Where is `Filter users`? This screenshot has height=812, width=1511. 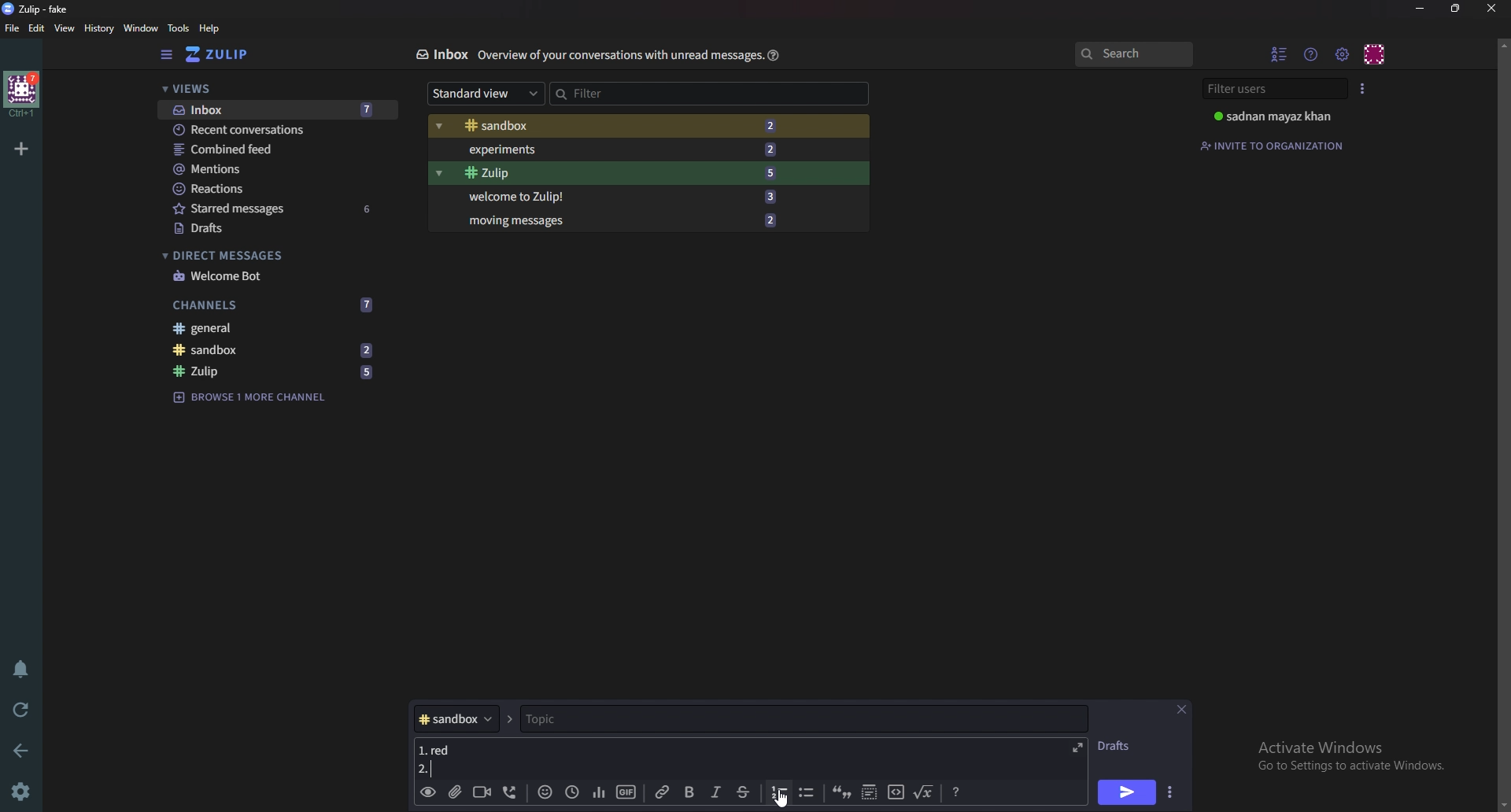
Filter users is located at coordinates (1273, 89).